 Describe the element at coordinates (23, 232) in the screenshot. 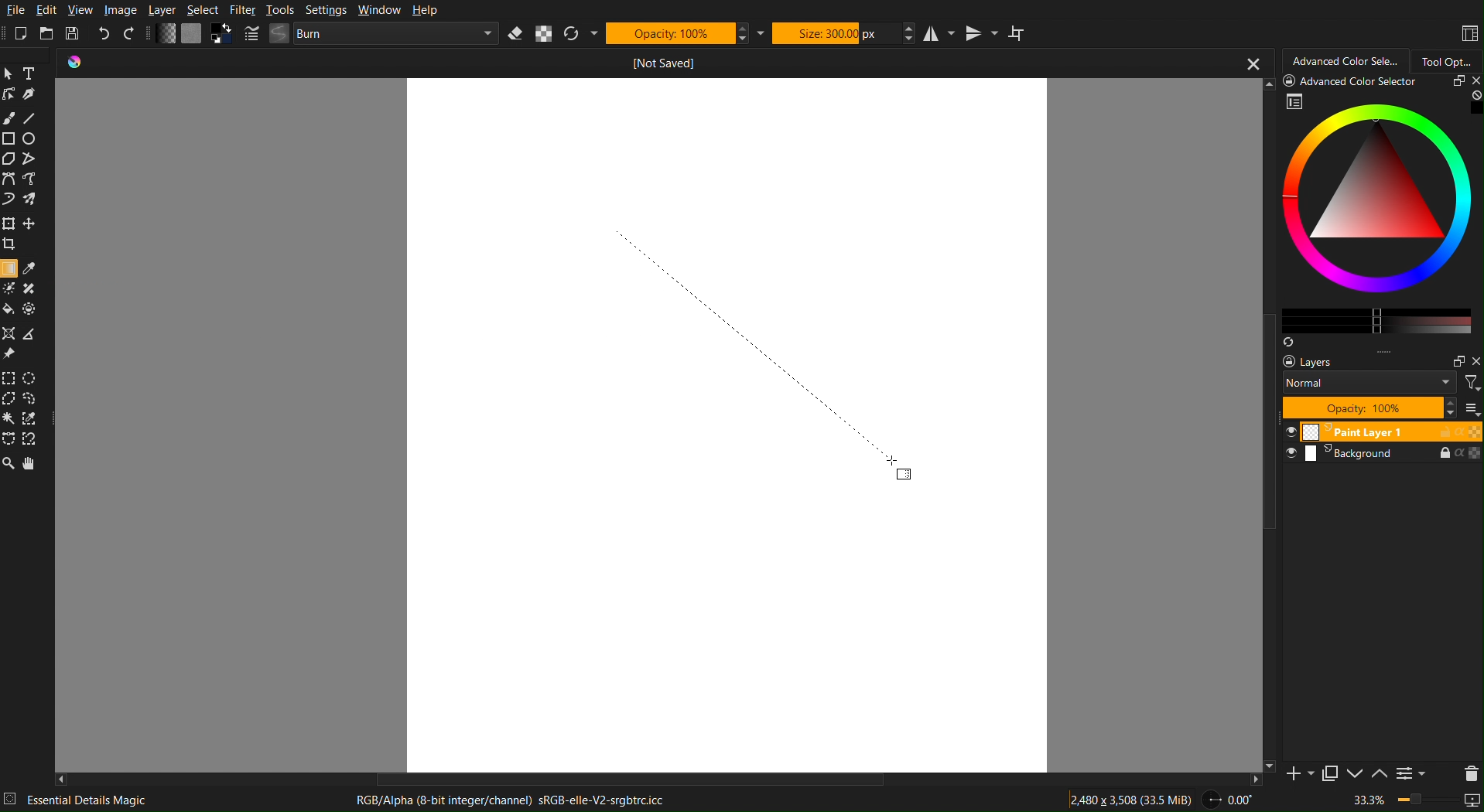

I see `Move Tools` at that location.